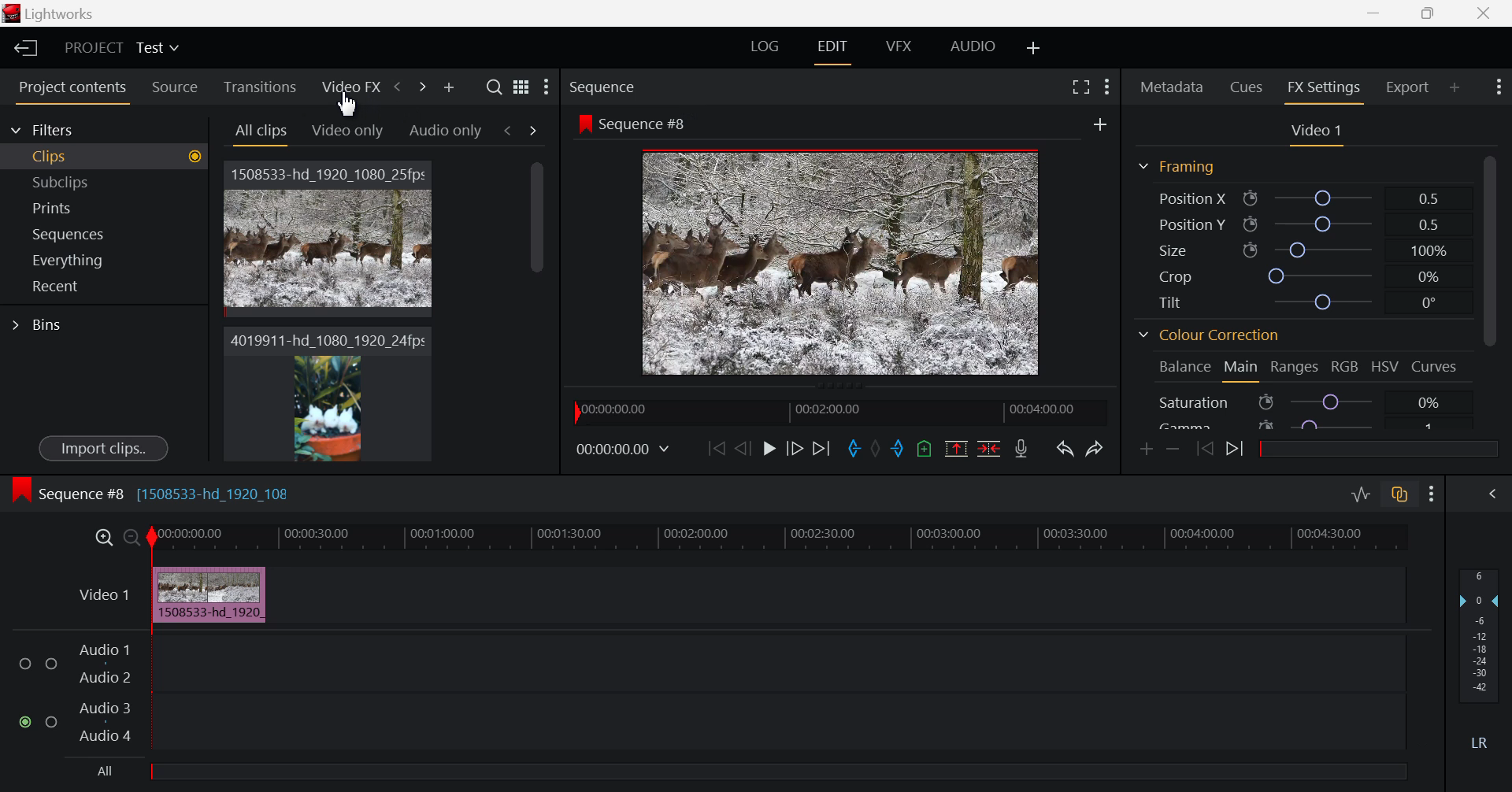  I want to click on Add Panel, so click(1455, 87).